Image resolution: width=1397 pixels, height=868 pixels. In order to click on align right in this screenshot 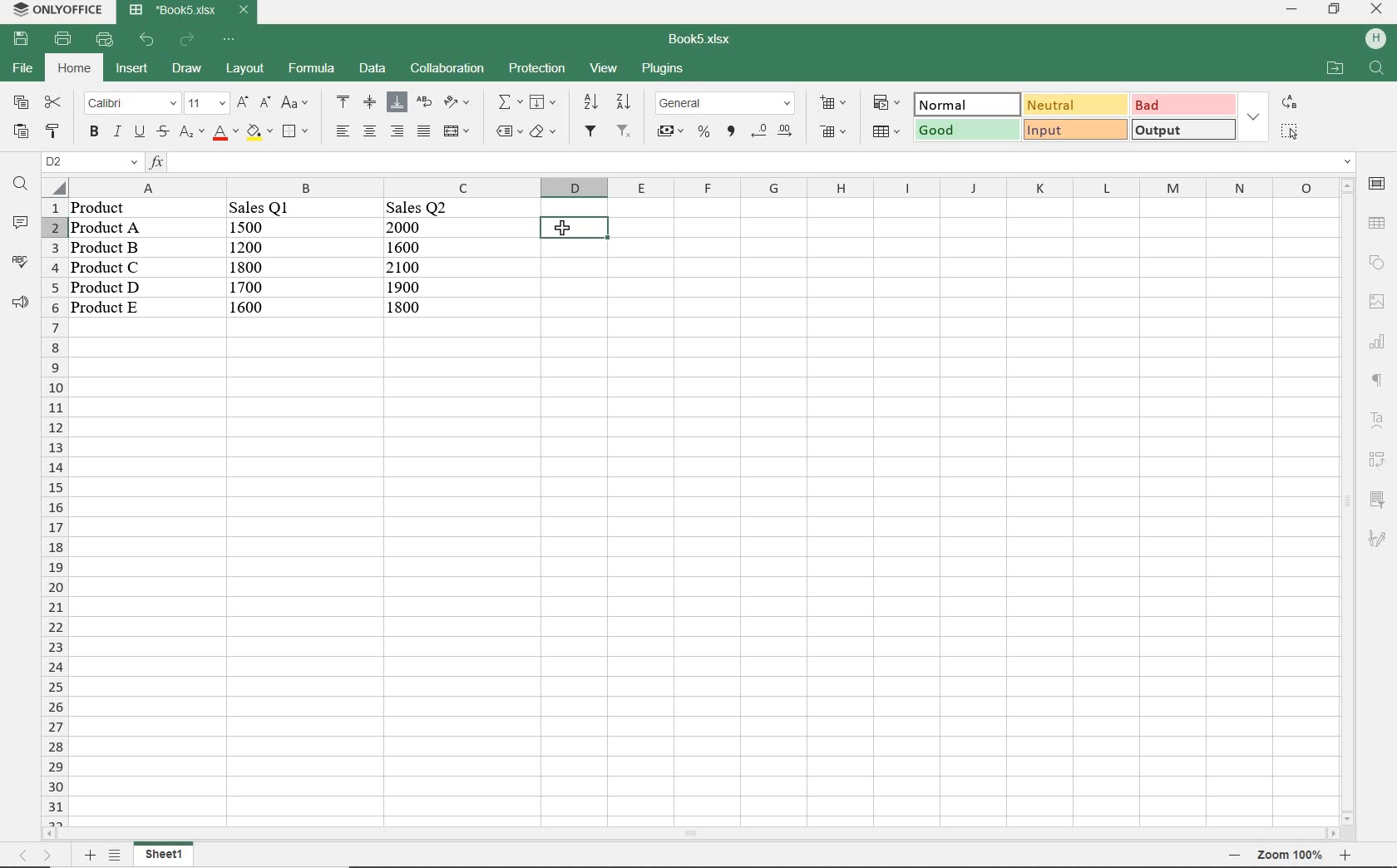, I will do `click(341, 131)`.